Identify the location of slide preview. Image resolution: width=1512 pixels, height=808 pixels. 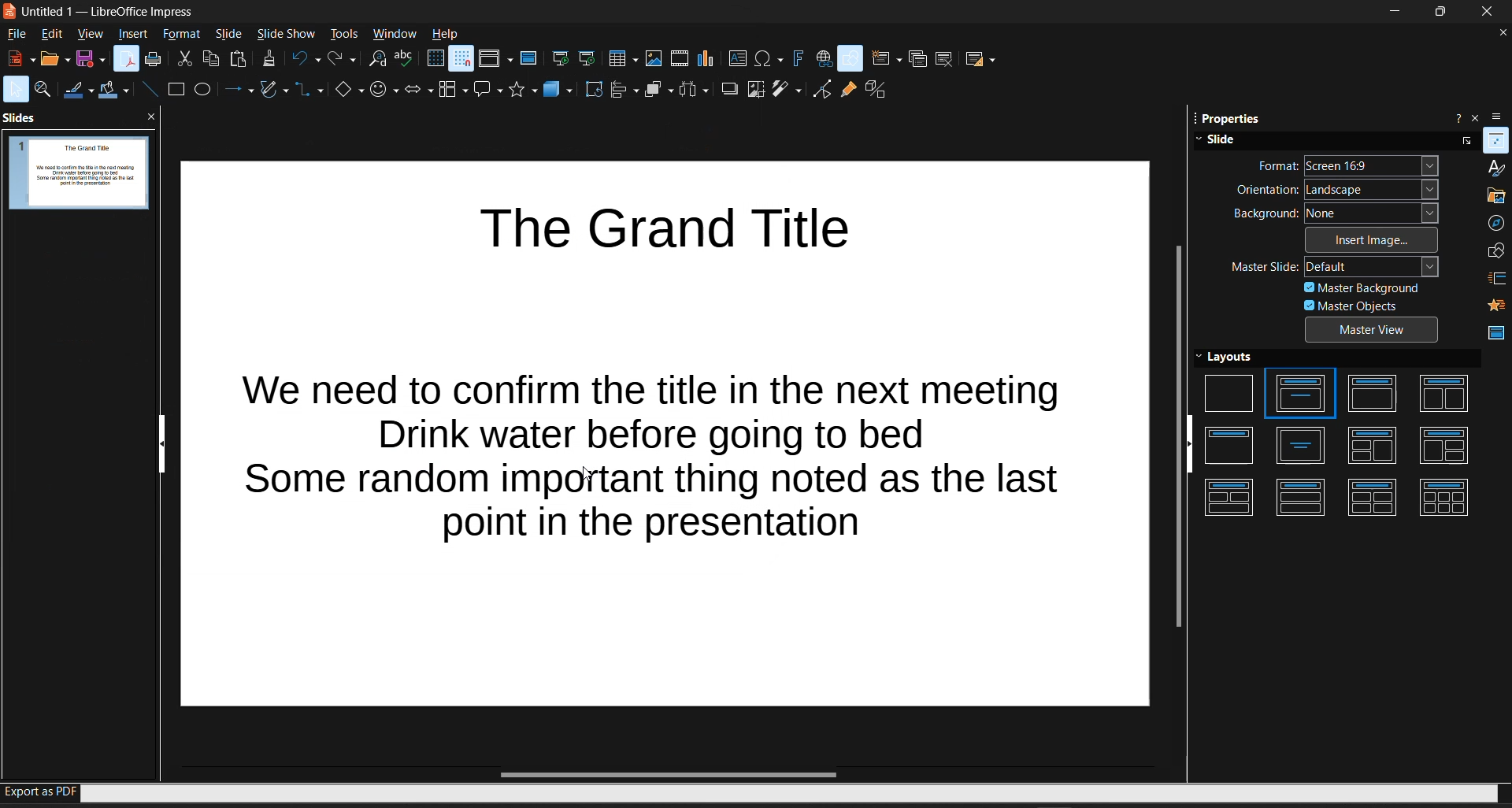
(79, 173).